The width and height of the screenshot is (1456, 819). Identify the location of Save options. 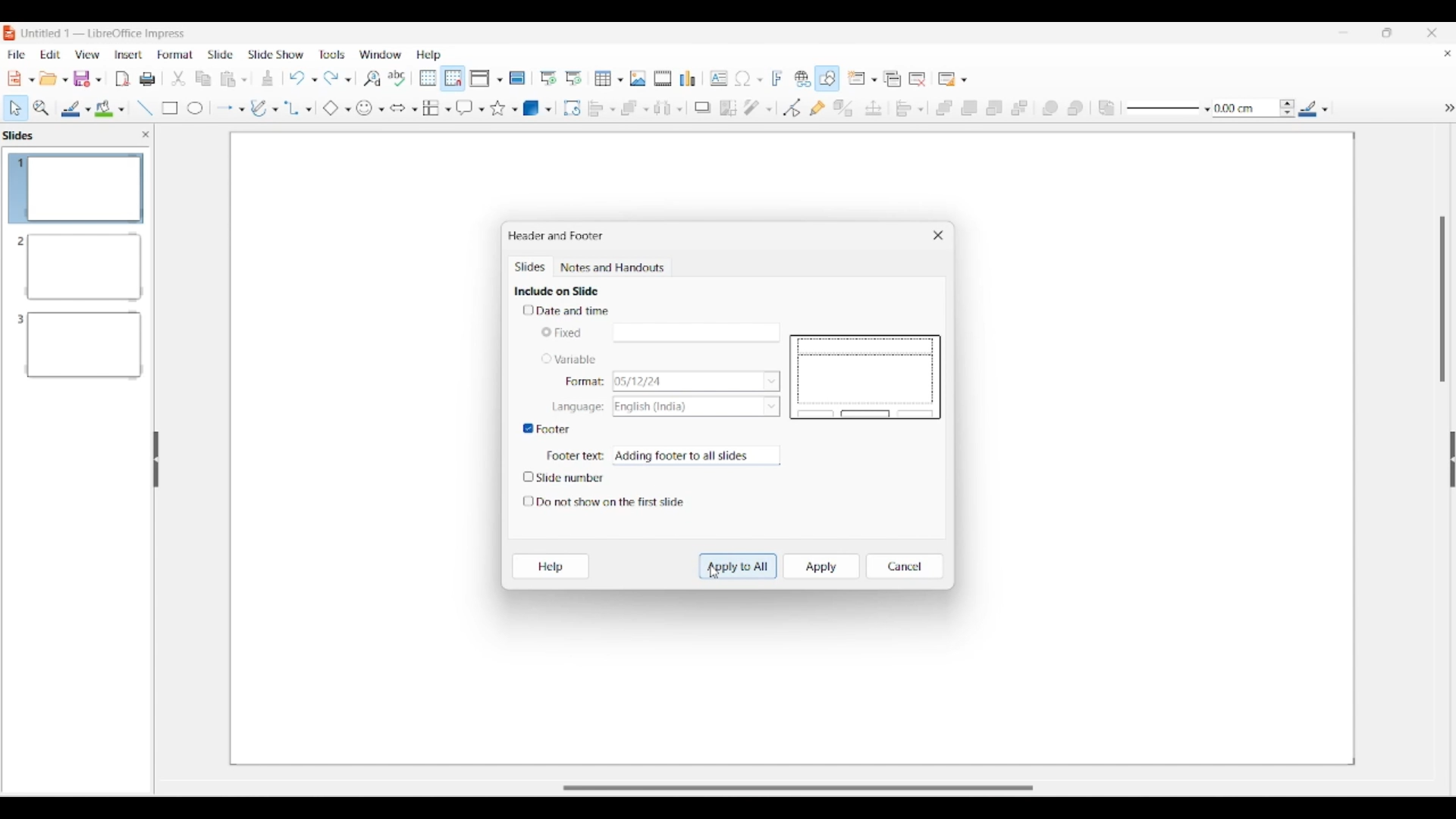
(88, 79).